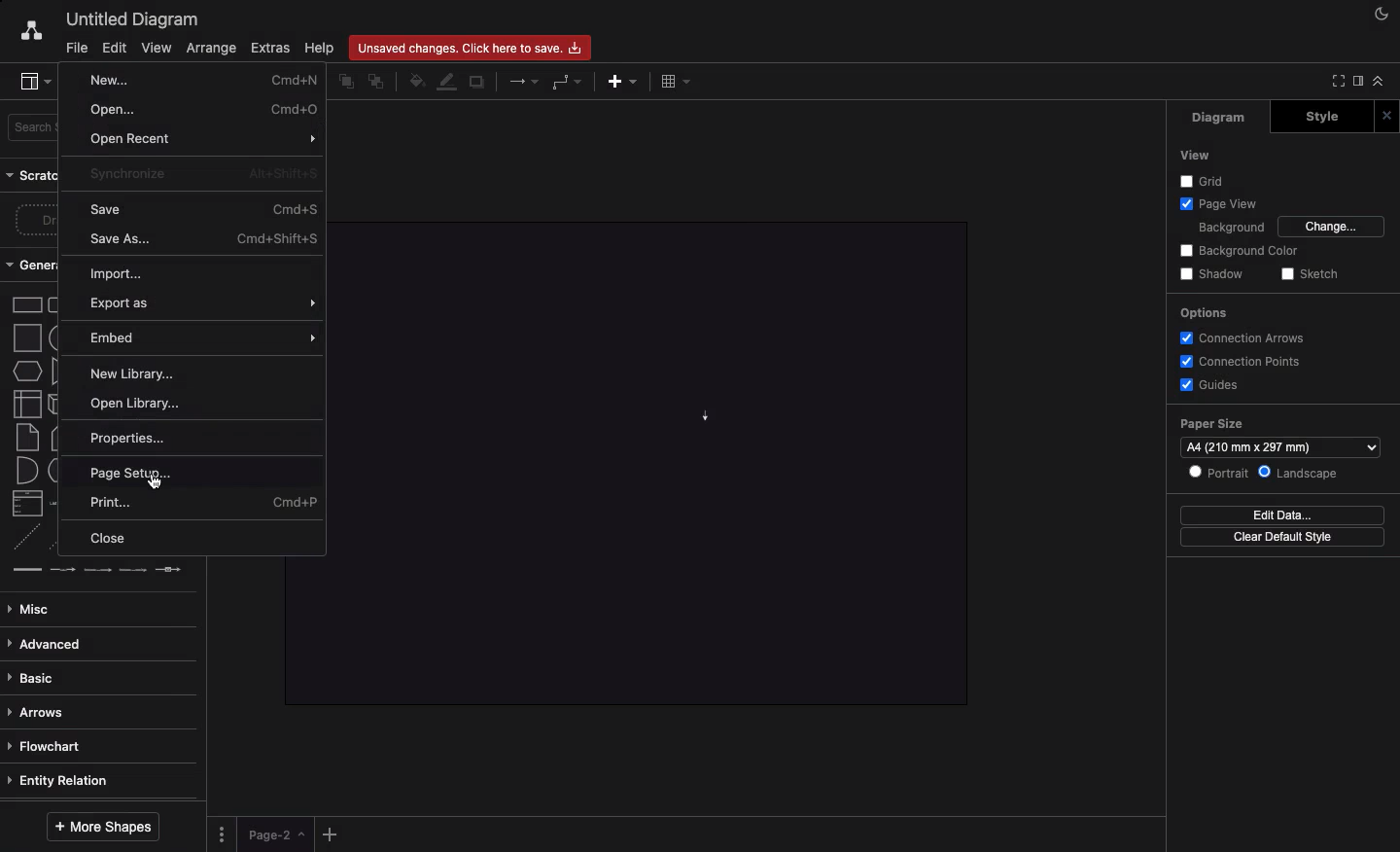 This screenshot has height=852, width=1400. Describe the element at coordinates (1247, 337) in the screenshot. I see `Connection arrows` at that location.